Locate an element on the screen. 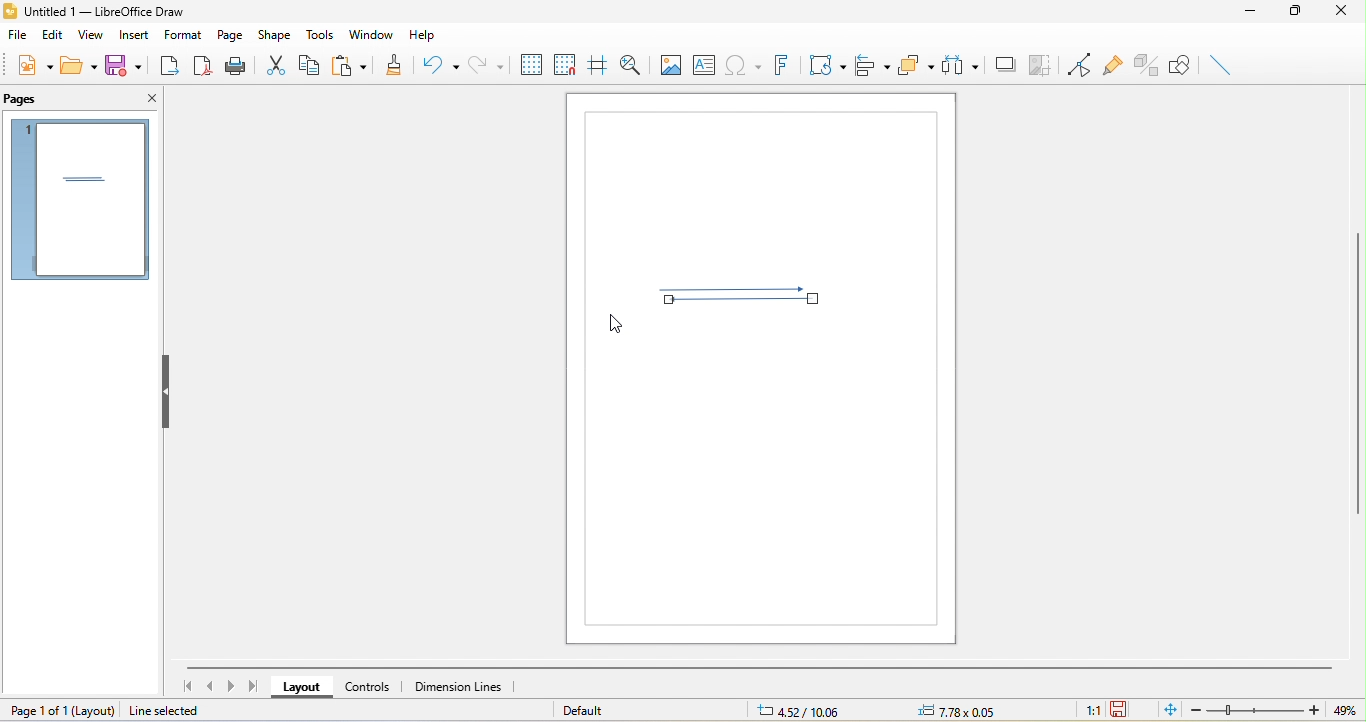  edit is located at coordinates (53, 35).